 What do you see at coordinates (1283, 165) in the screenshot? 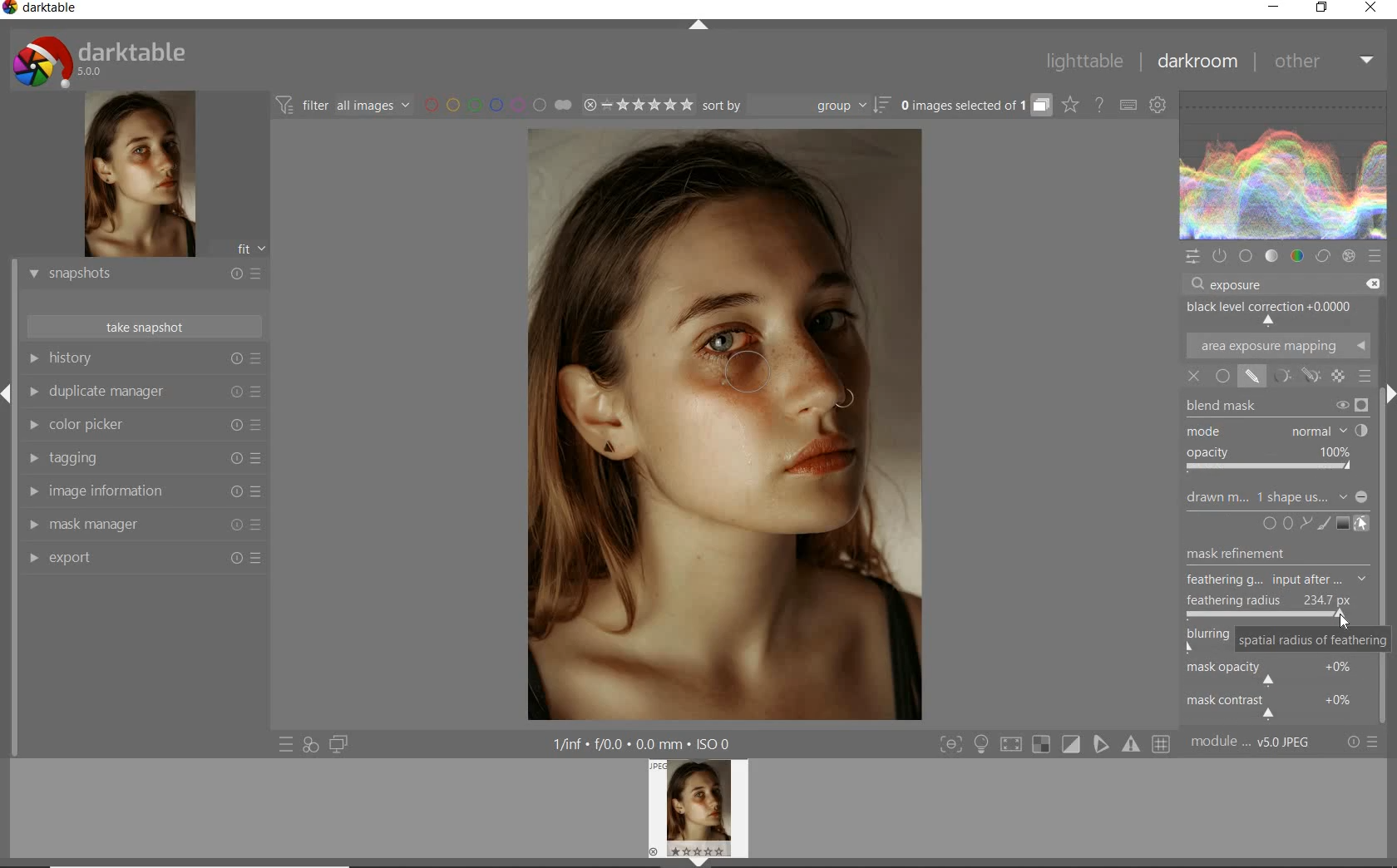
I see `WAVEFORM` at bounding box center [1283, 165].